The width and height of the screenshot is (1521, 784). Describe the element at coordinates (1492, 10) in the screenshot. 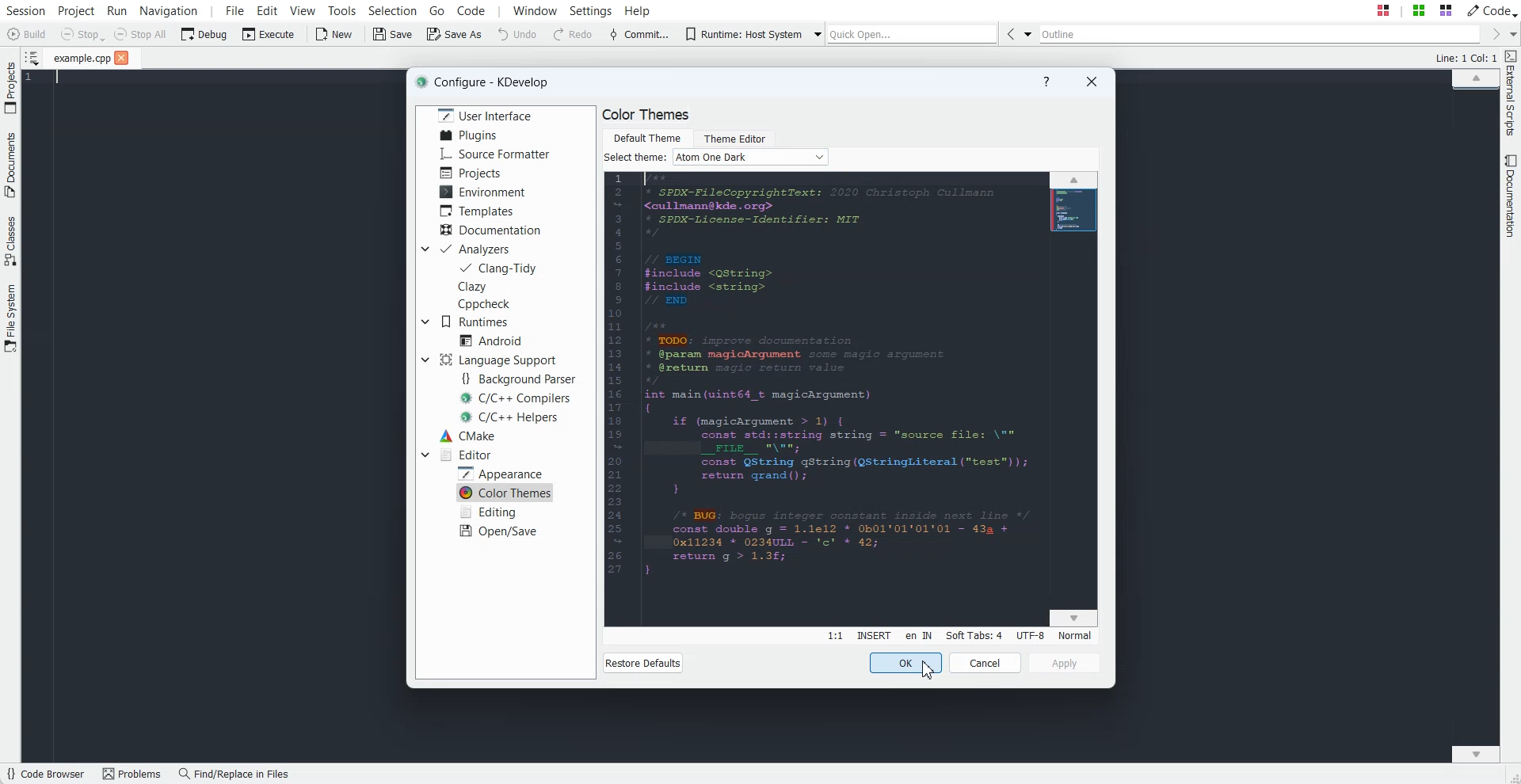

I see `Code` at that location.